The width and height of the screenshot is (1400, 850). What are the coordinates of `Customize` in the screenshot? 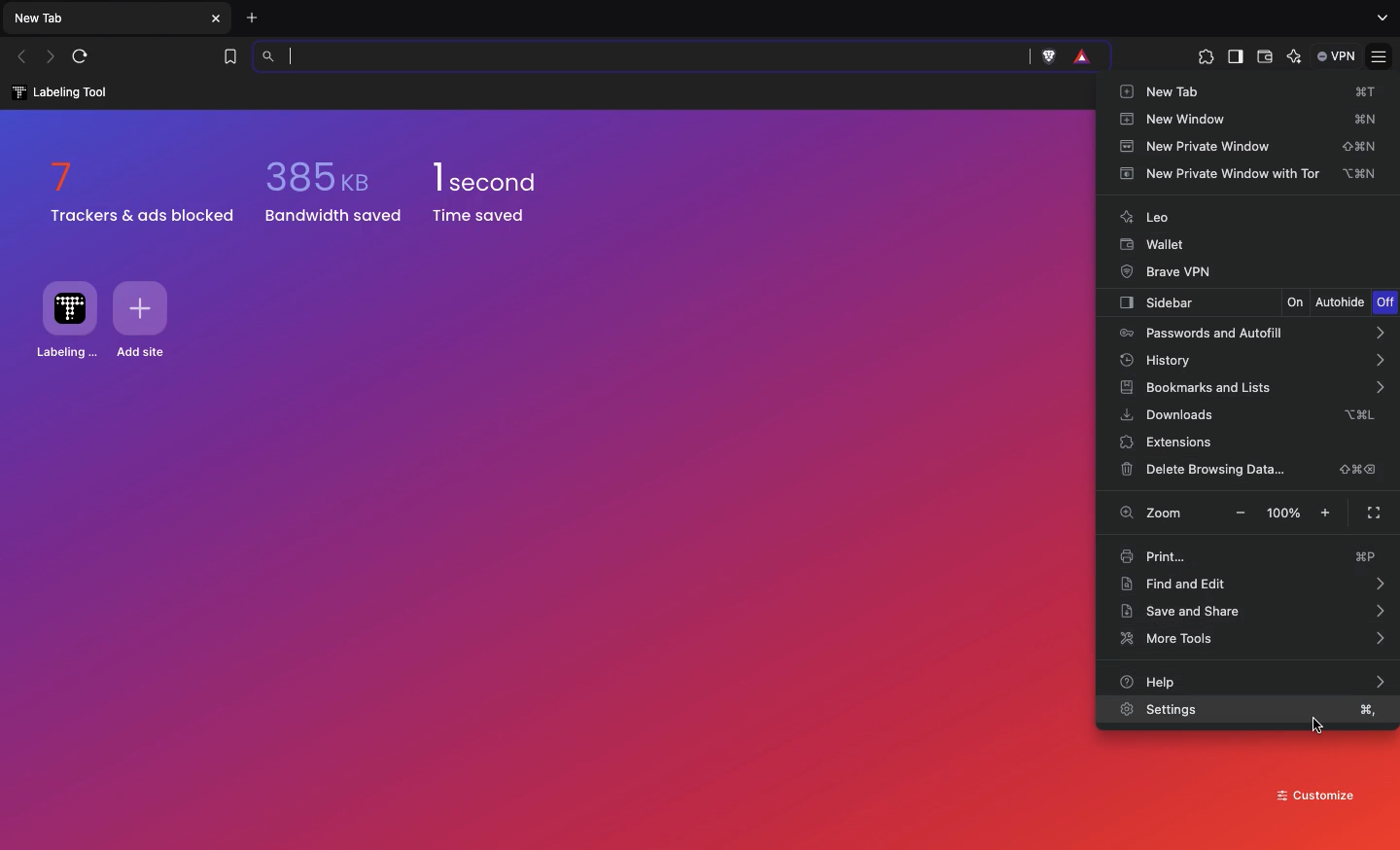 It's located at (1312, 797).